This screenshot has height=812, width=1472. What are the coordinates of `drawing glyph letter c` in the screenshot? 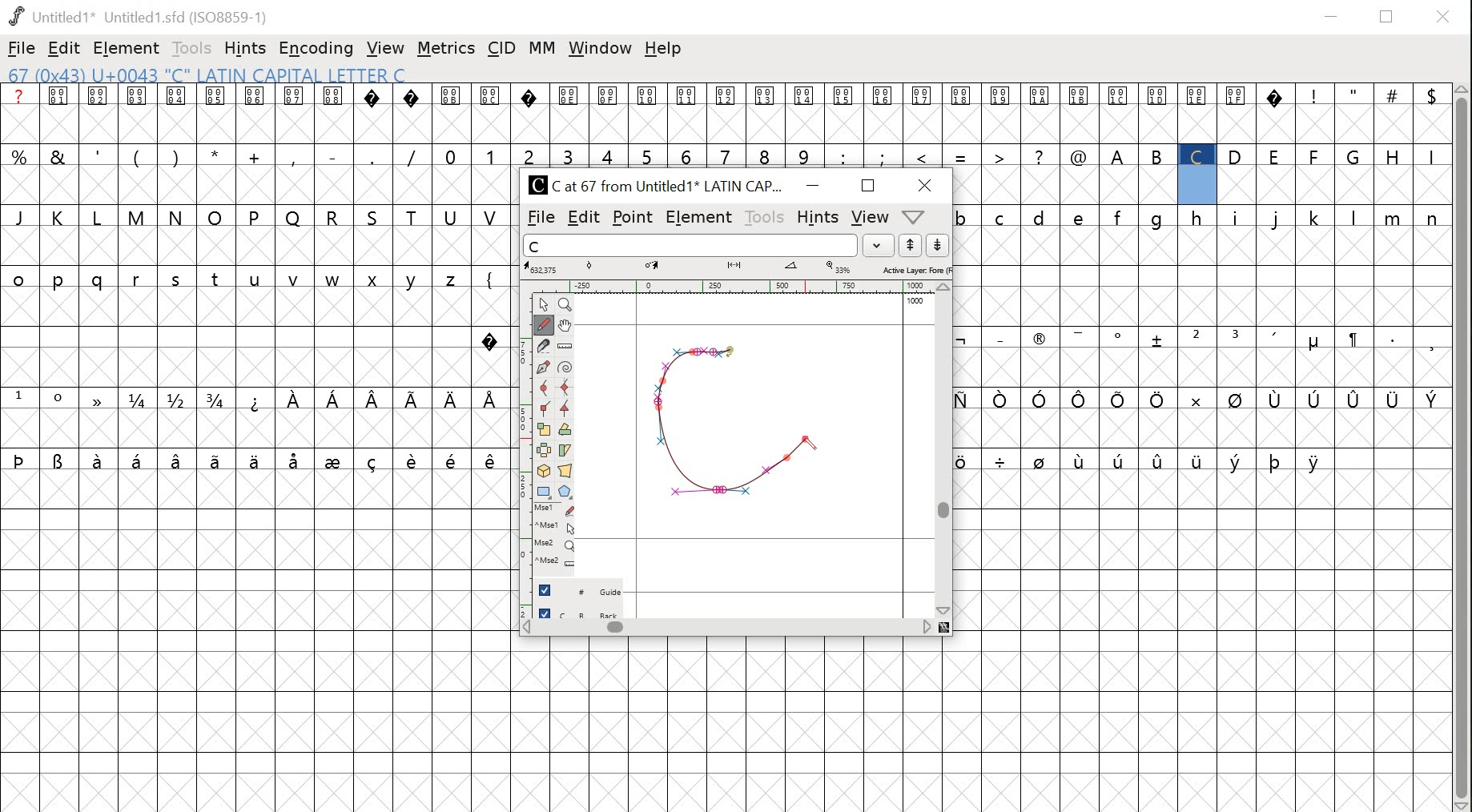 It's located at (746, 415).